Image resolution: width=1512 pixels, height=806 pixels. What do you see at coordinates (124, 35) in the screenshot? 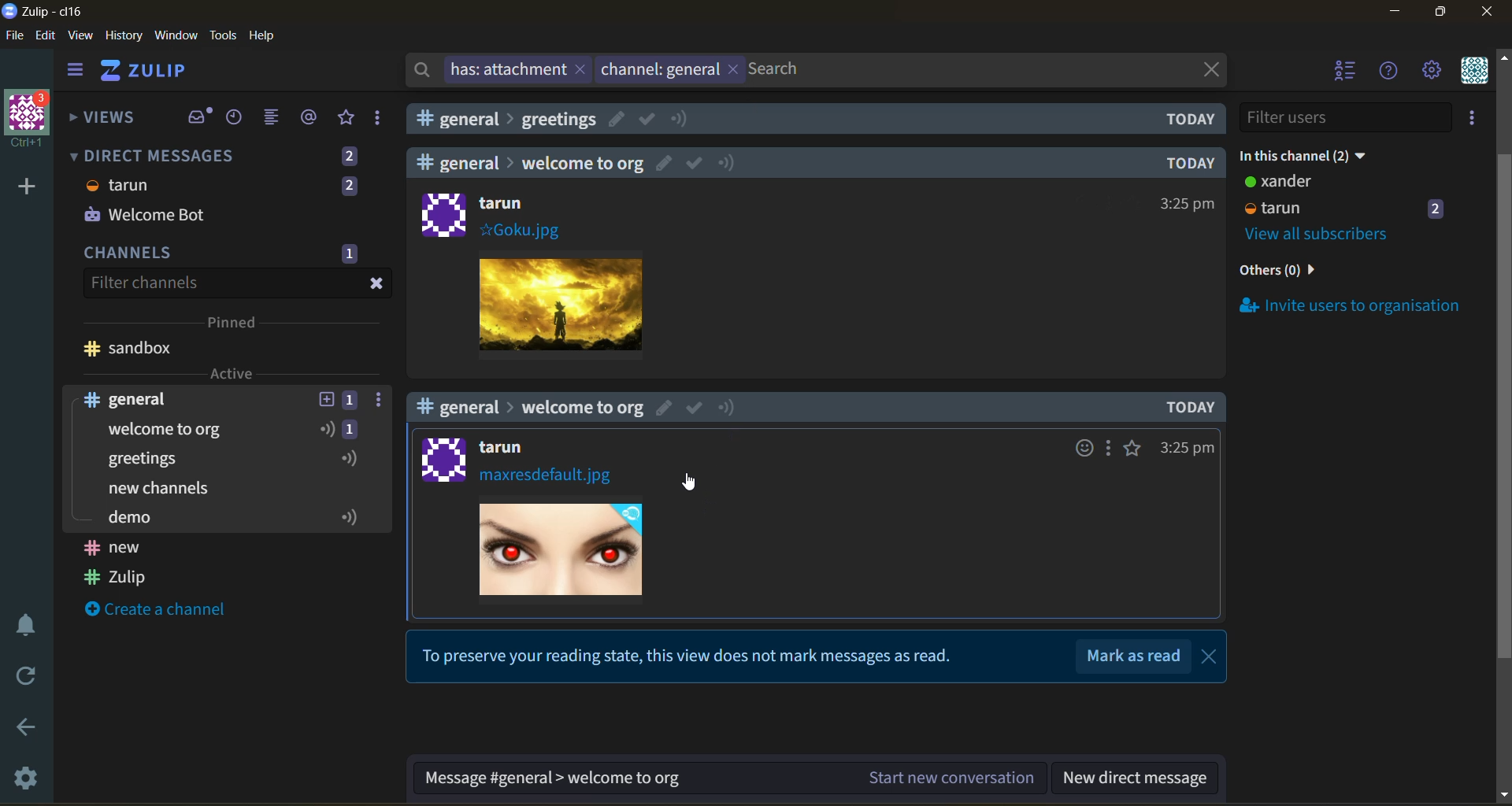
I see `history` at bounding box center [124, 35].